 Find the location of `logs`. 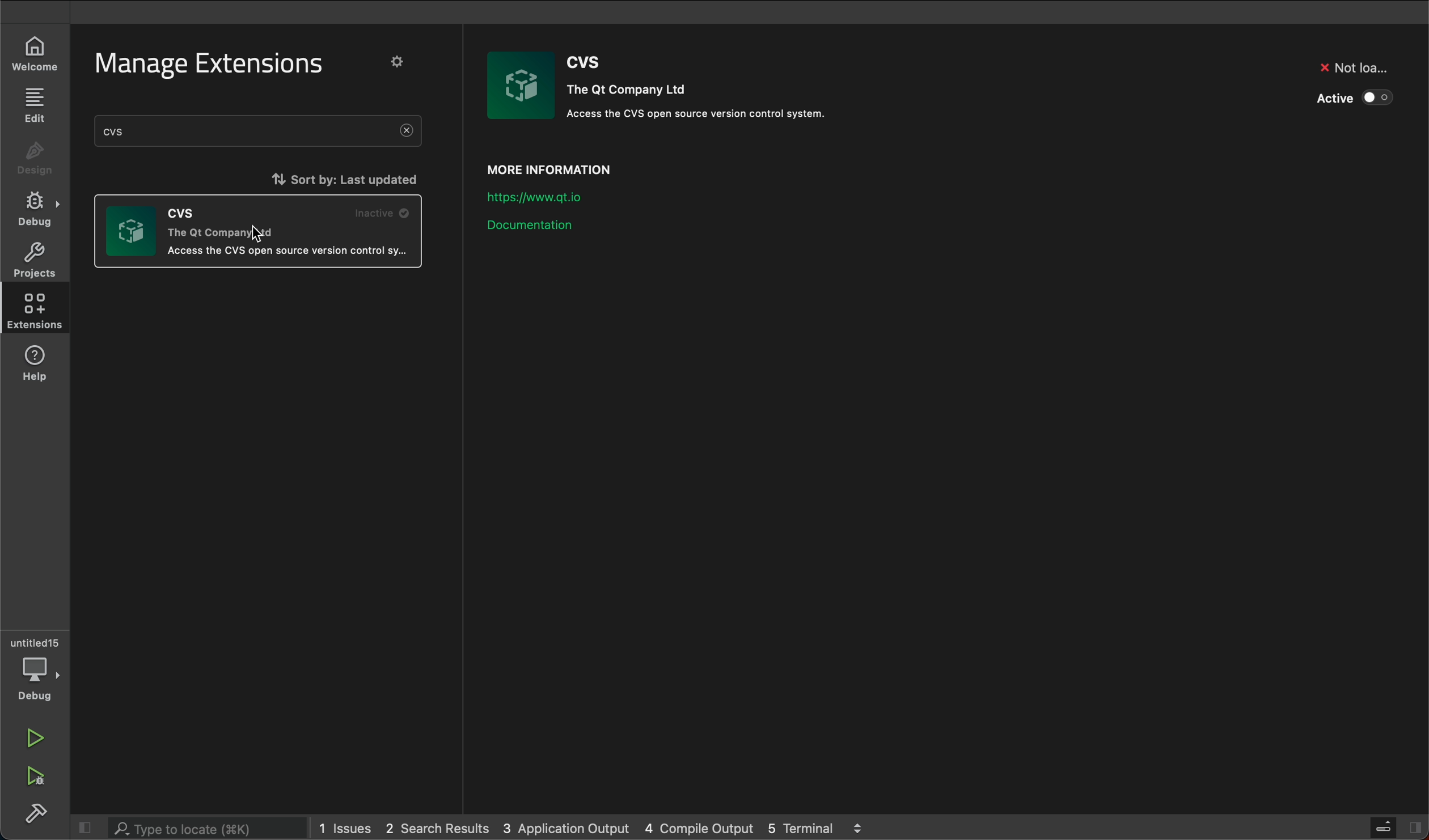

logs is located at coordinates (596, 828).